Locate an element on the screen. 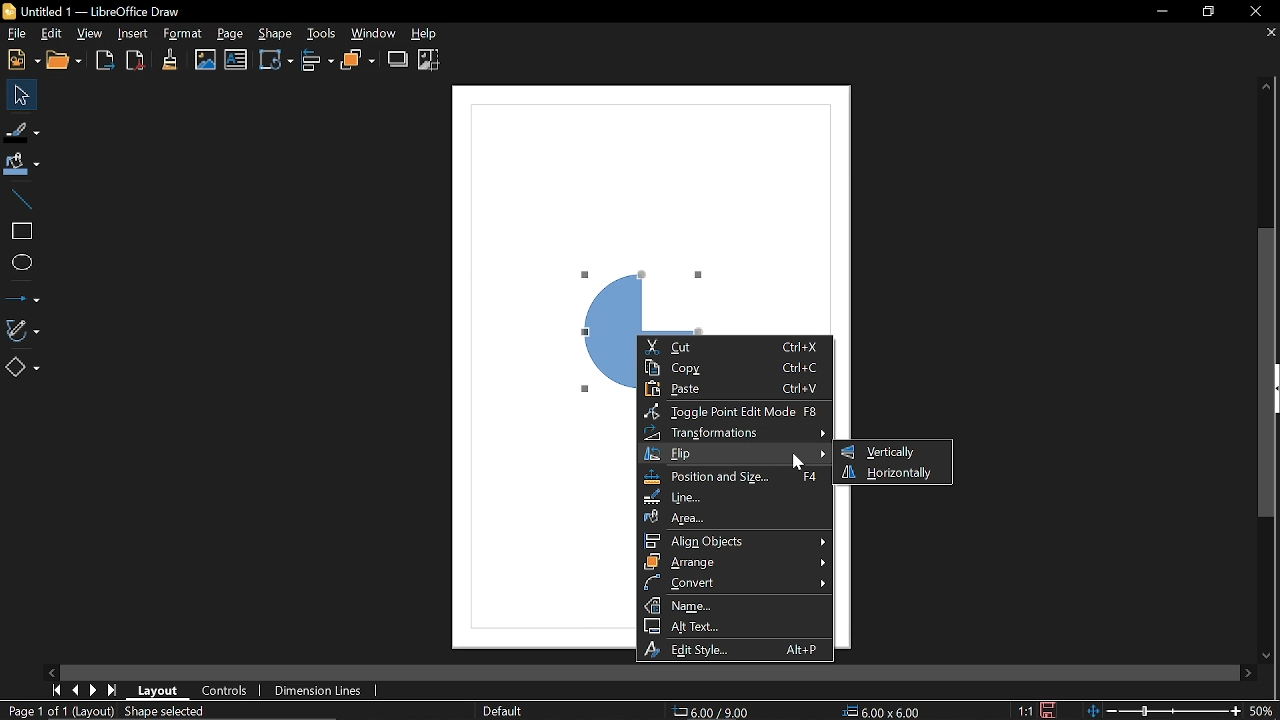 This screenshot has height=720, width=1280. Tools is located at coordinates (322, 34).